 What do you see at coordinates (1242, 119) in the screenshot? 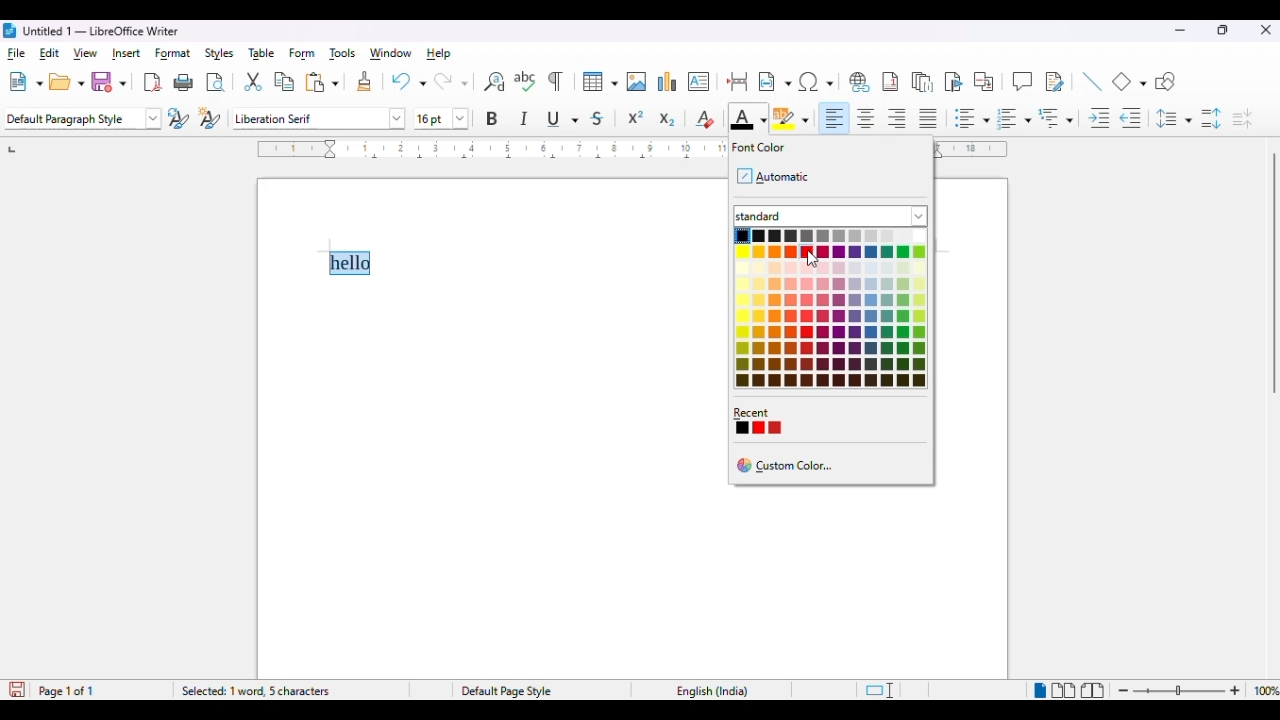
I see `decrease paragraph spacing` at bounding box center [1242, 119].